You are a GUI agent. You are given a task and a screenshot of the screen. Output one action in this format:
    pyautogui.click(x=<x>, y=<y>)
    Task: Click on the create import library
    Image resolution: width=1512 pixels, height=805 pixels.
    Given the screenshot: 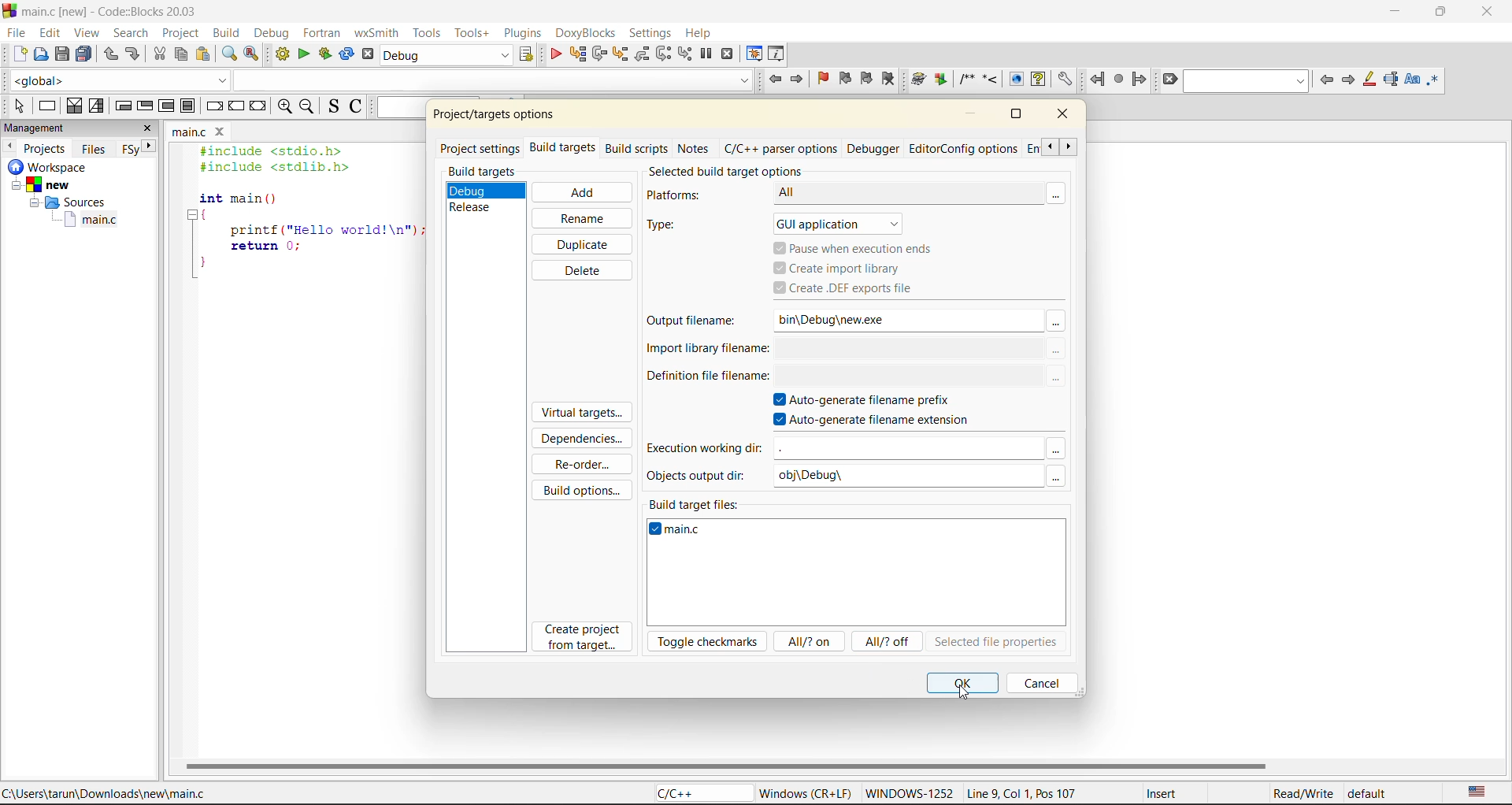 What is the action you would take?
    pyautogui.click(x=840, y=269)
    